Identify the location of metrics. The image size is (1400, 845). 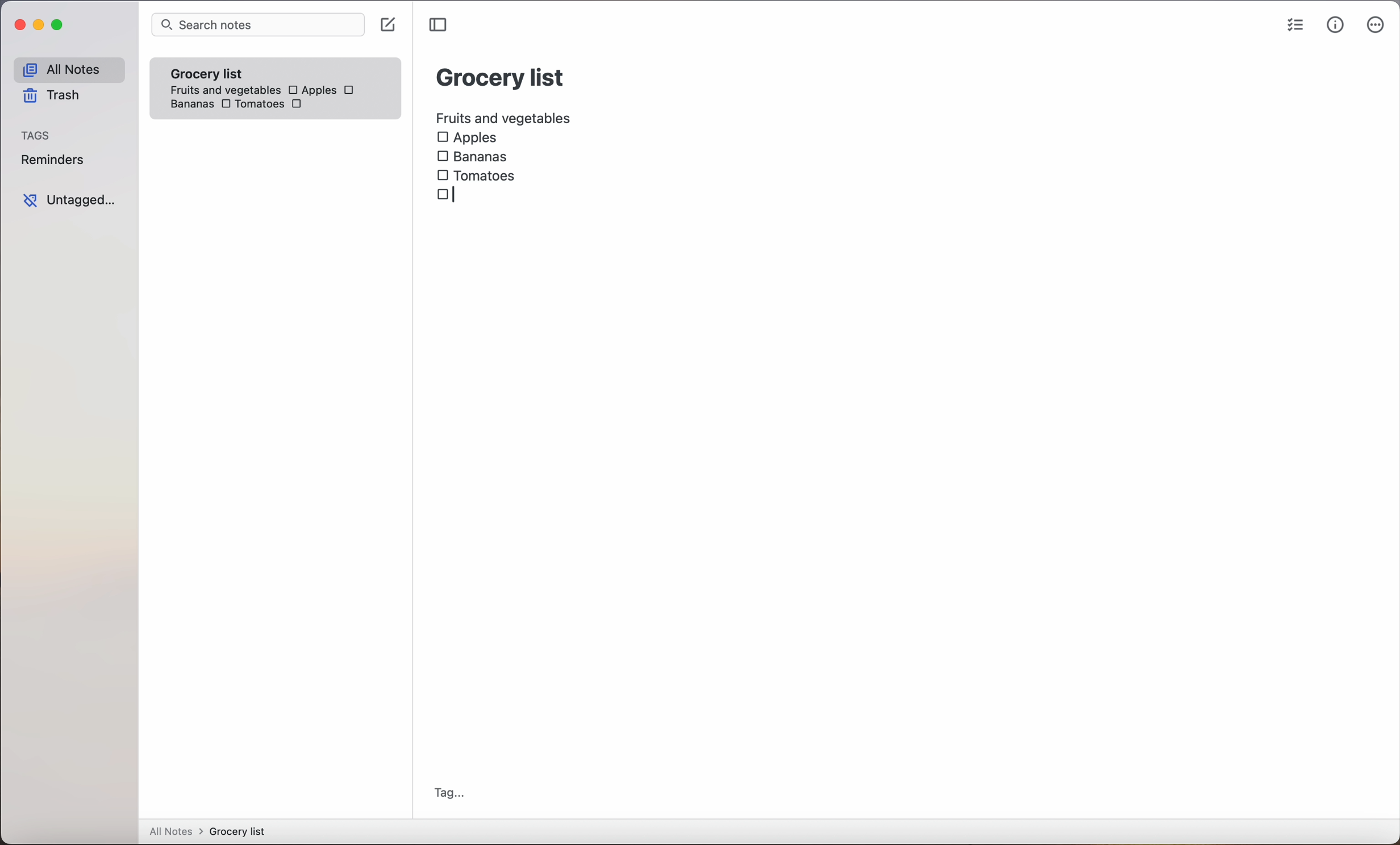
(1335, 26).